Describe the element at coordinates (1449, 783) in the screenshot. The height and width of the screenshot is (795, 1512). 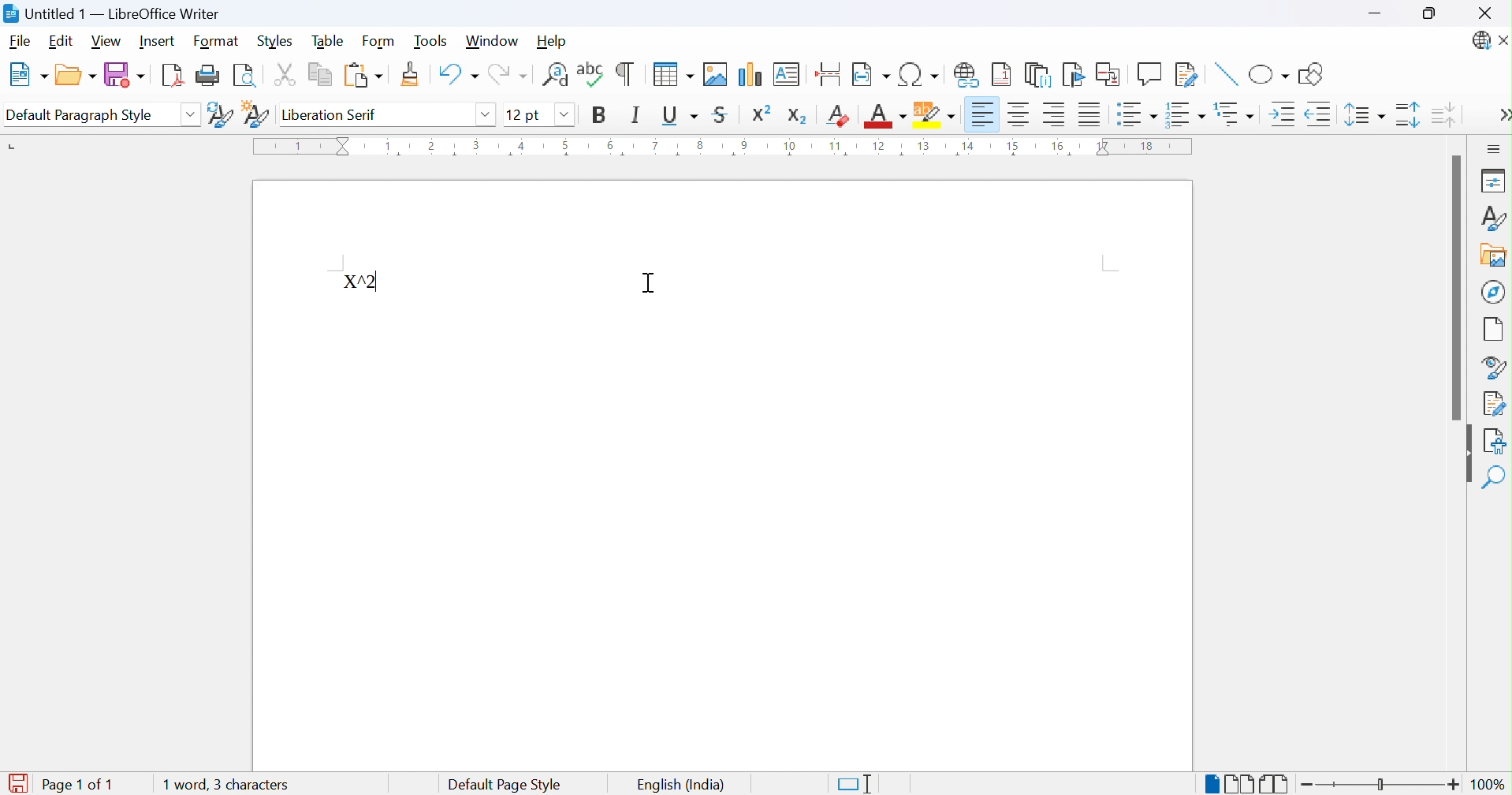
I see `Zoom in` at that location.